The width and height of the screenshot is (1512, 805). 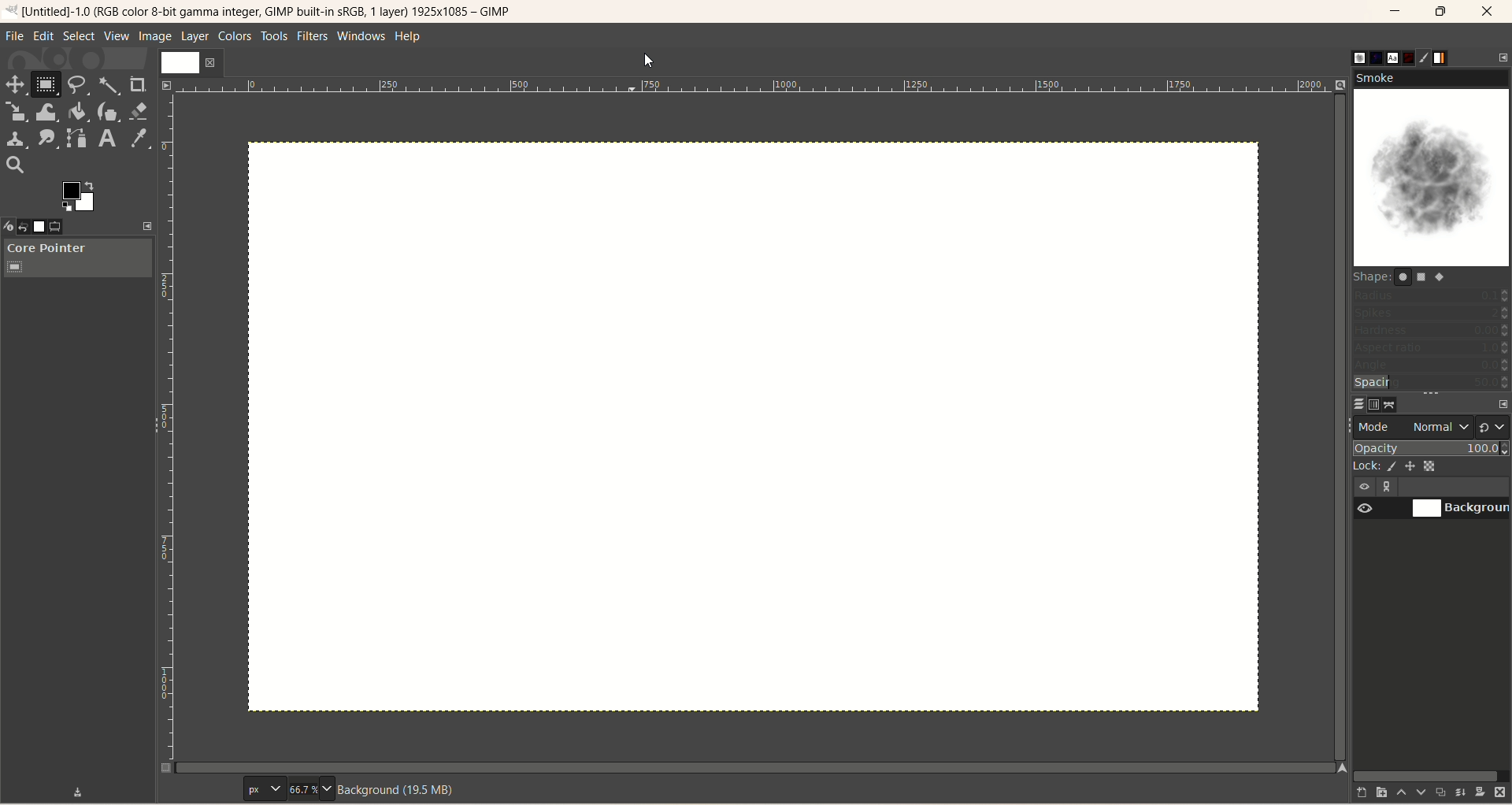 I want to click on filters, so click(x=311, y=37).